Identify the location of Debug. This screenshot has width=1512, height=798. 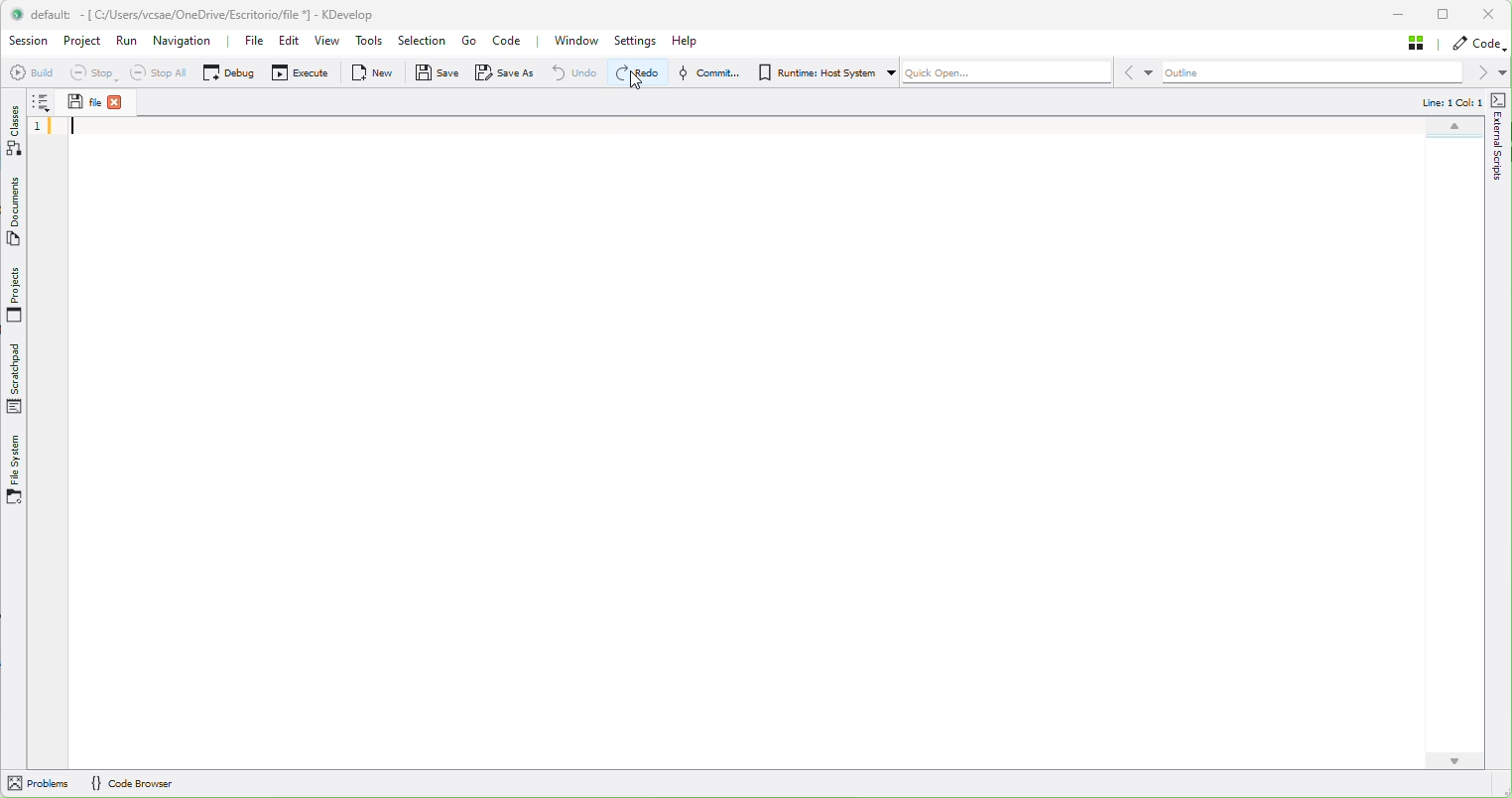
(232, 70).